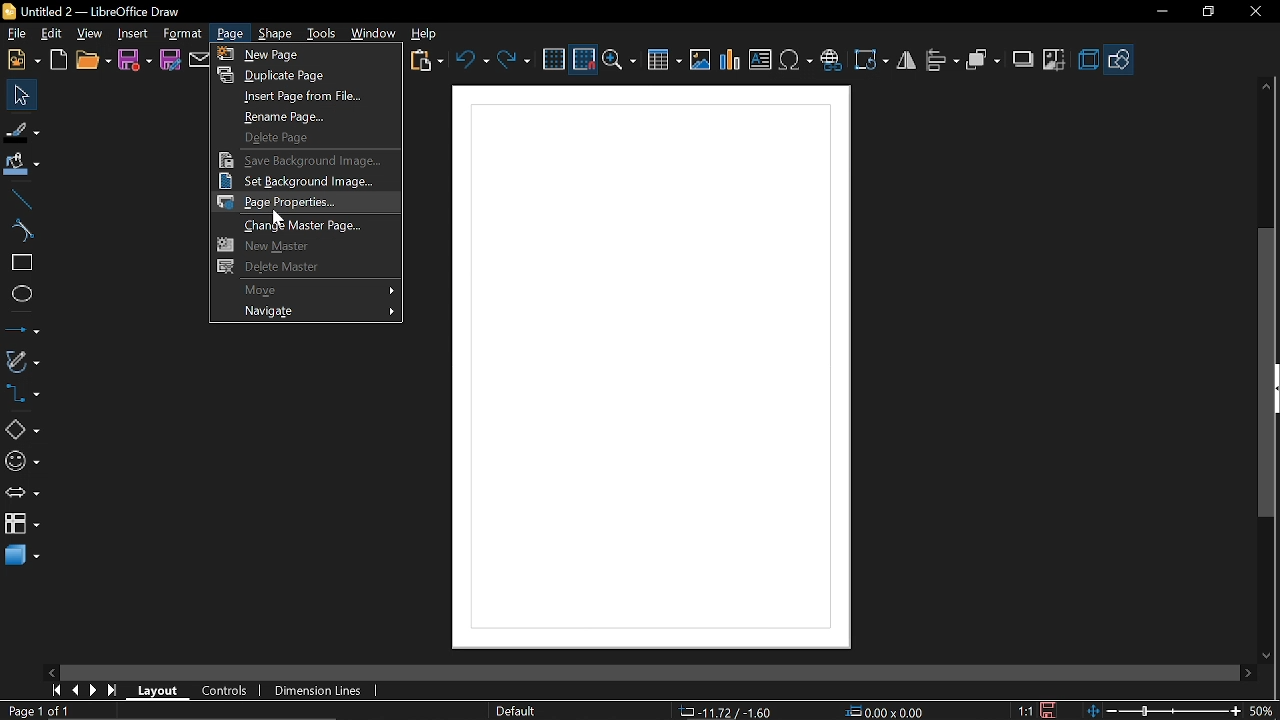 The width and height of the screenshot is (1280, 720). I want to click on Untitled 2 - LibreOffice Draw, so click(101, 10).